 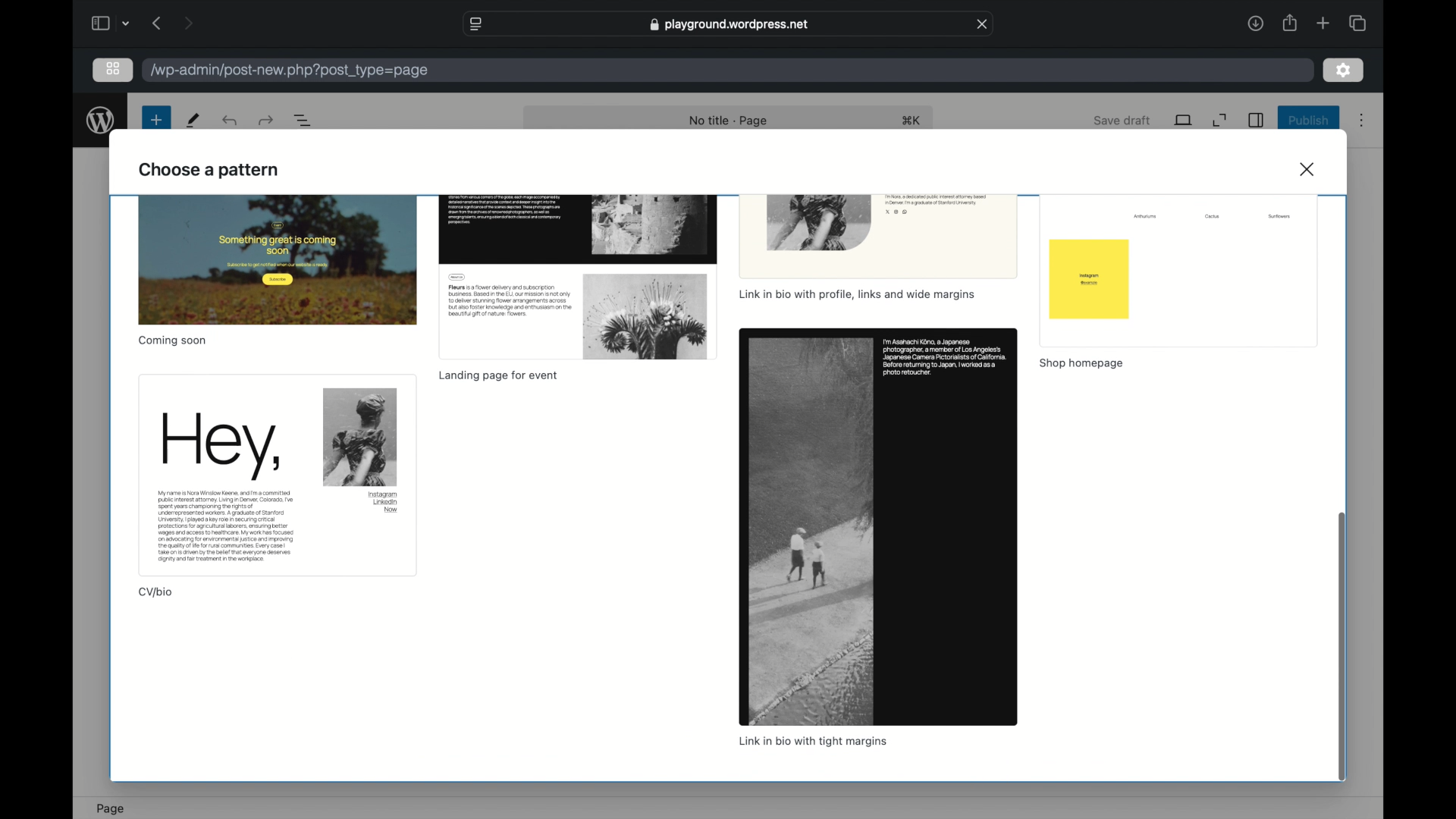 I want to click on close, so click(x=983, y=24).